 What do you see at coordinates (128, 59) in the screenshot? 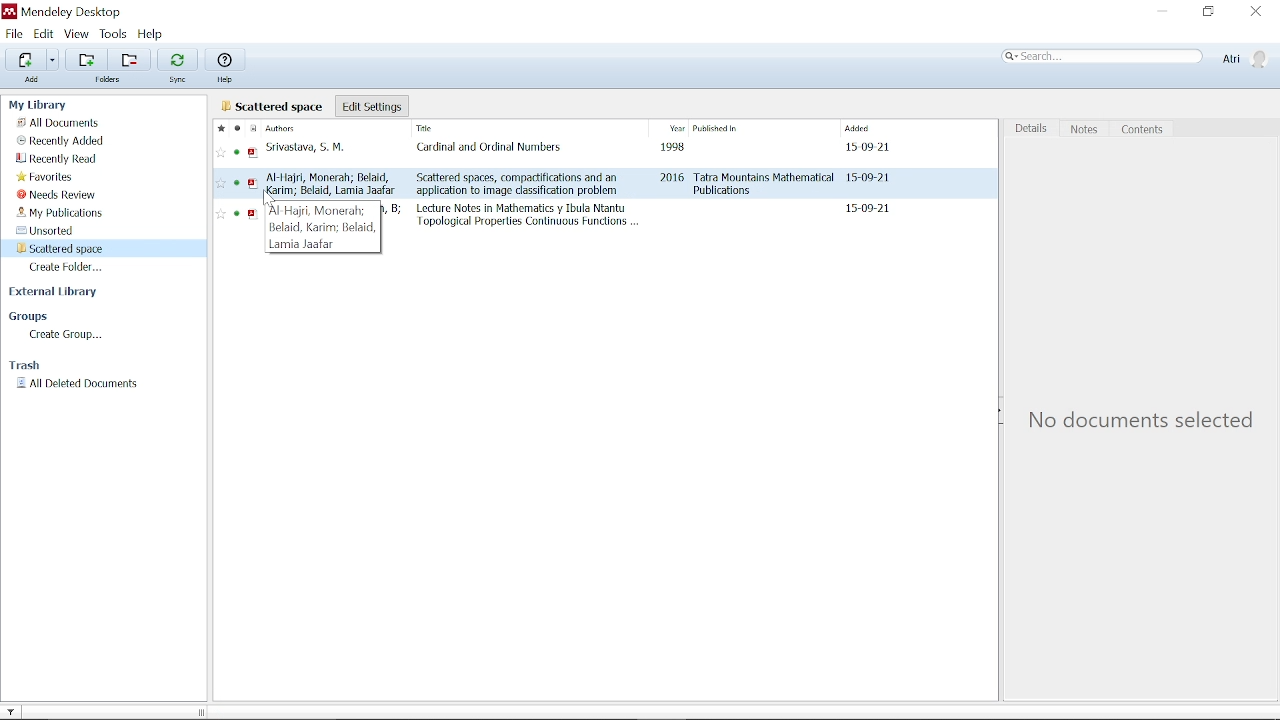
I see `Remove from current folder` at bounding box center [128, 59].